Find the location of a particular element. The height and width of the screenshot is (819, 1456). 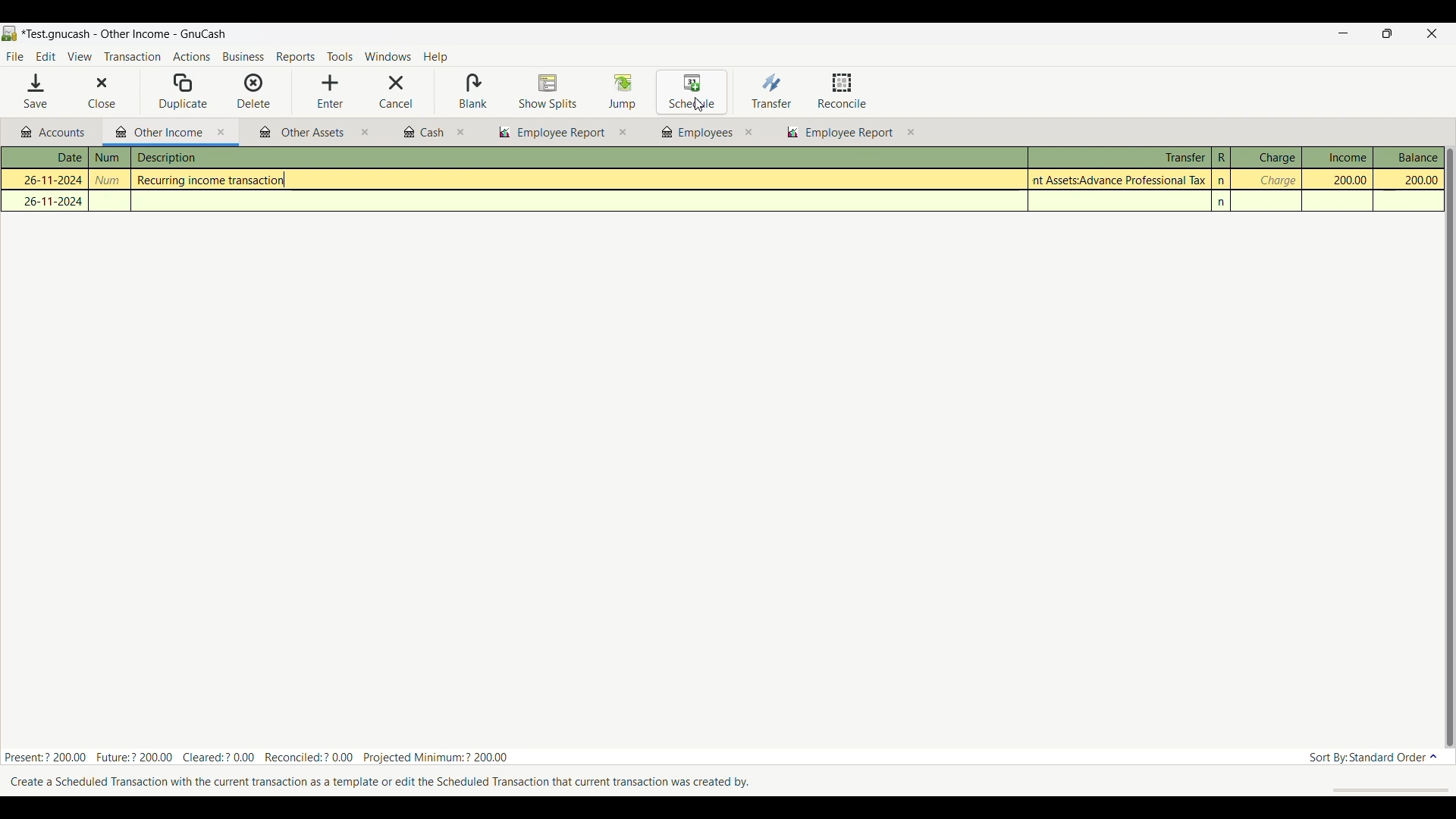

Actions menu is located at coordinates (191, 58).